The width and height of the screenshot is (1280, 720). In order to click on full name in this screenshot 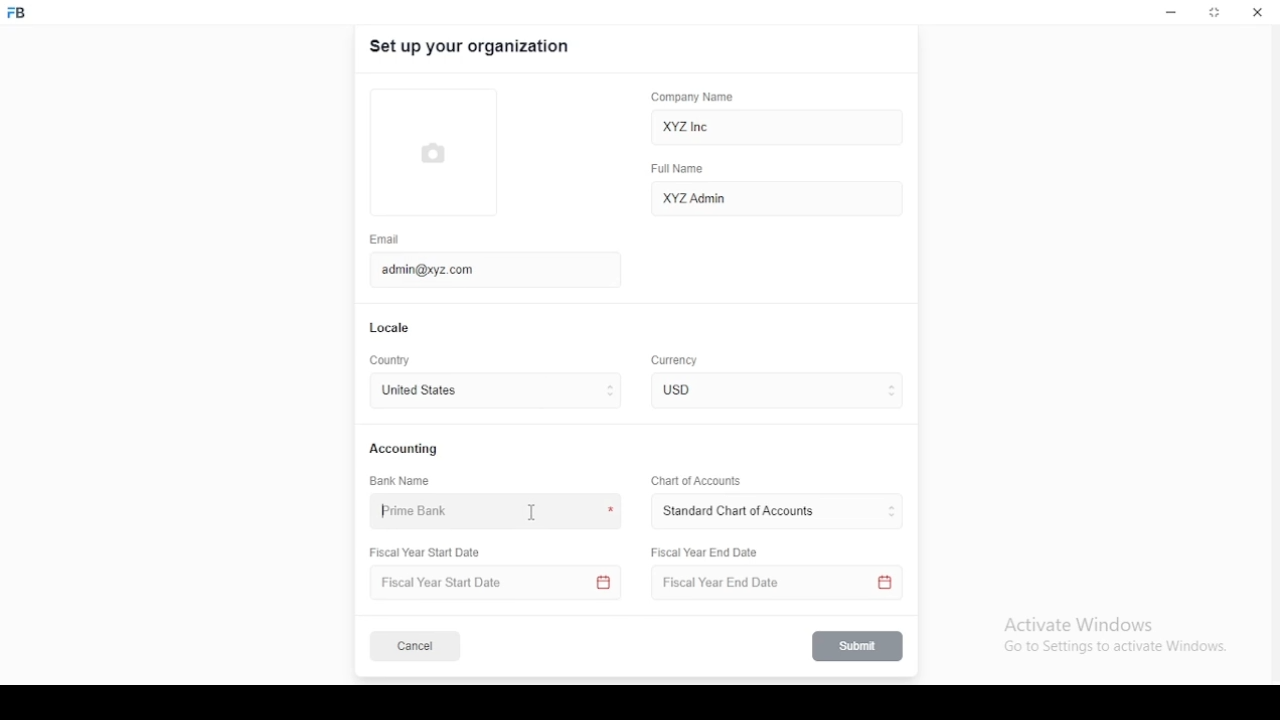, I will do `click(683, 169)`.